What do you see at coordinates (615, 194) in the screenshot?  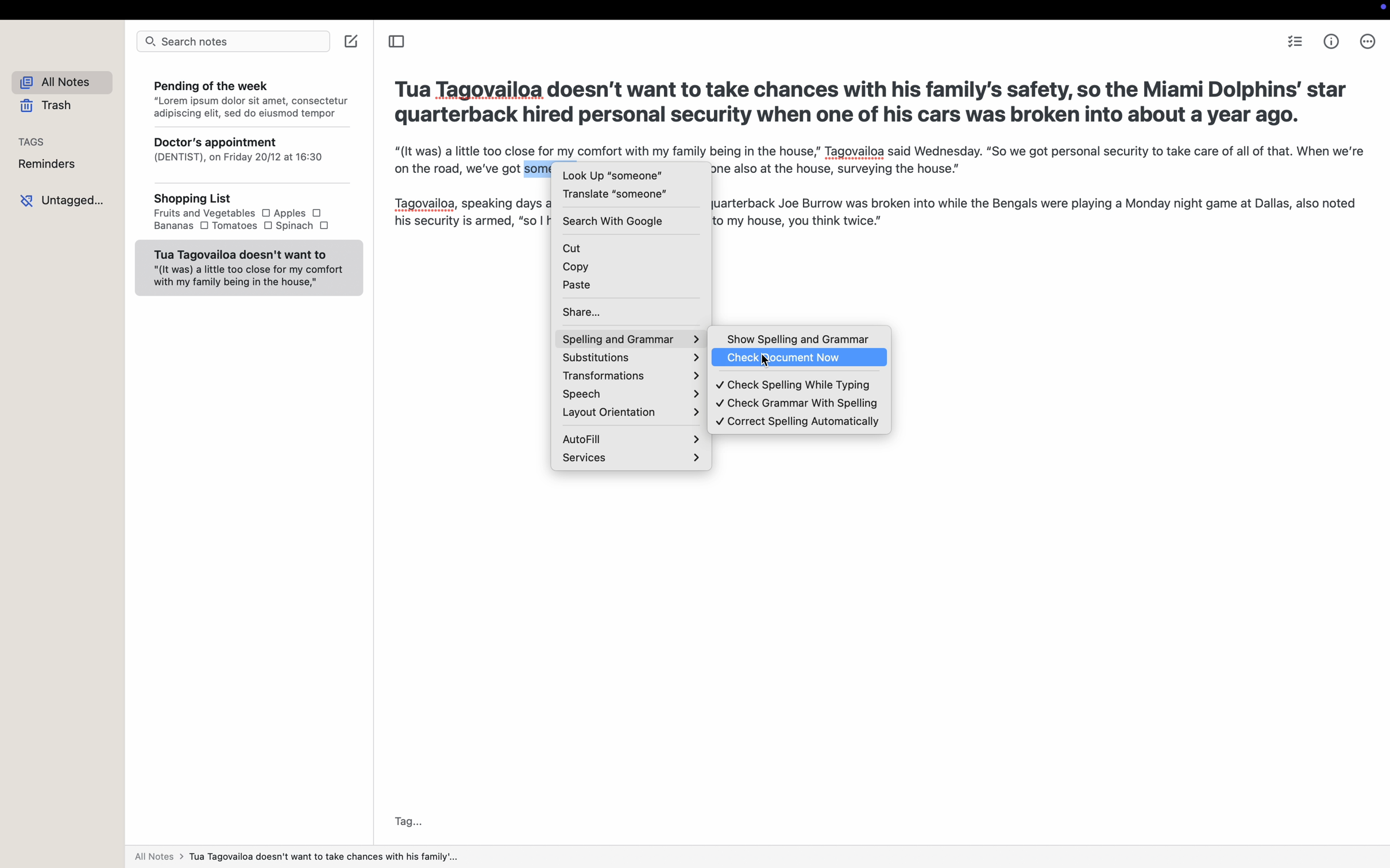 I see `translate "someone"` at bounding box center [615, 194].